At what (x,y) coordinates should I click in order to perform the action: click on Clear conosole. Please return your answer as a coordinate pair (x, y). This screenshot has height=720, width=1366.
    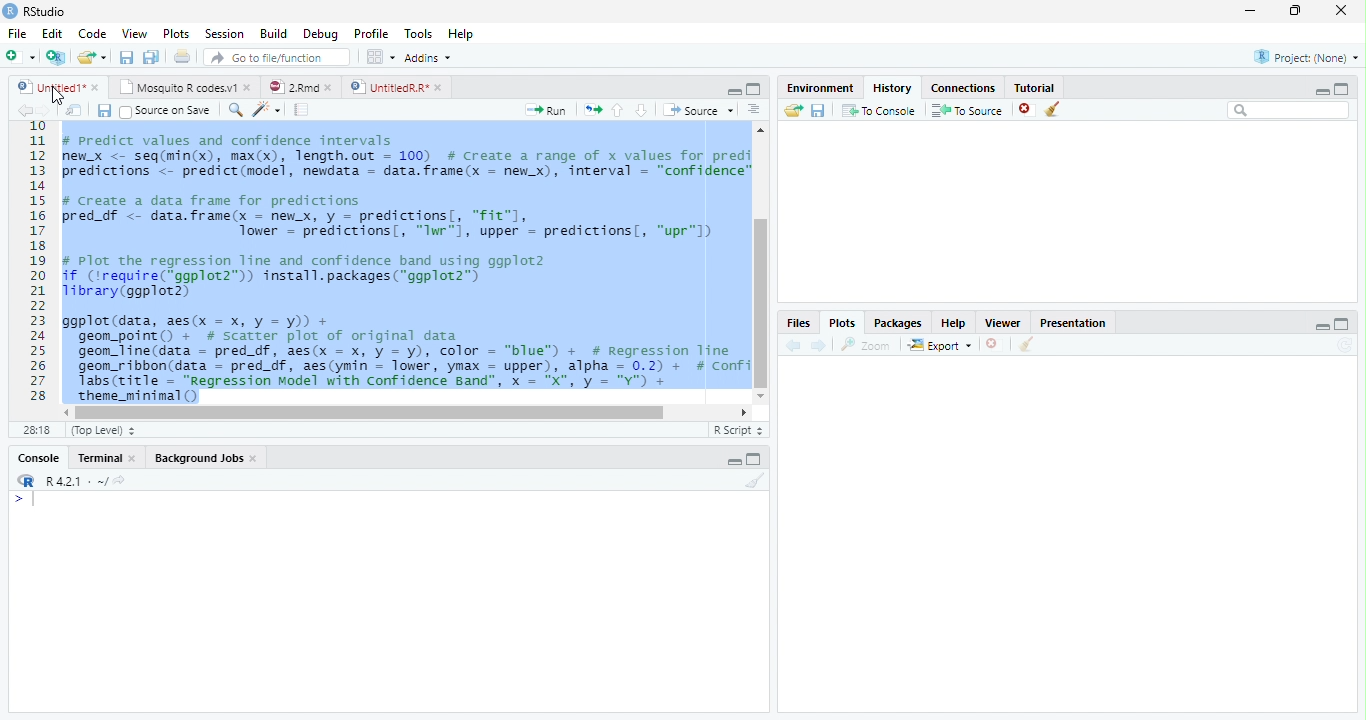
    Looking at the image, I should click on (1029, 344).